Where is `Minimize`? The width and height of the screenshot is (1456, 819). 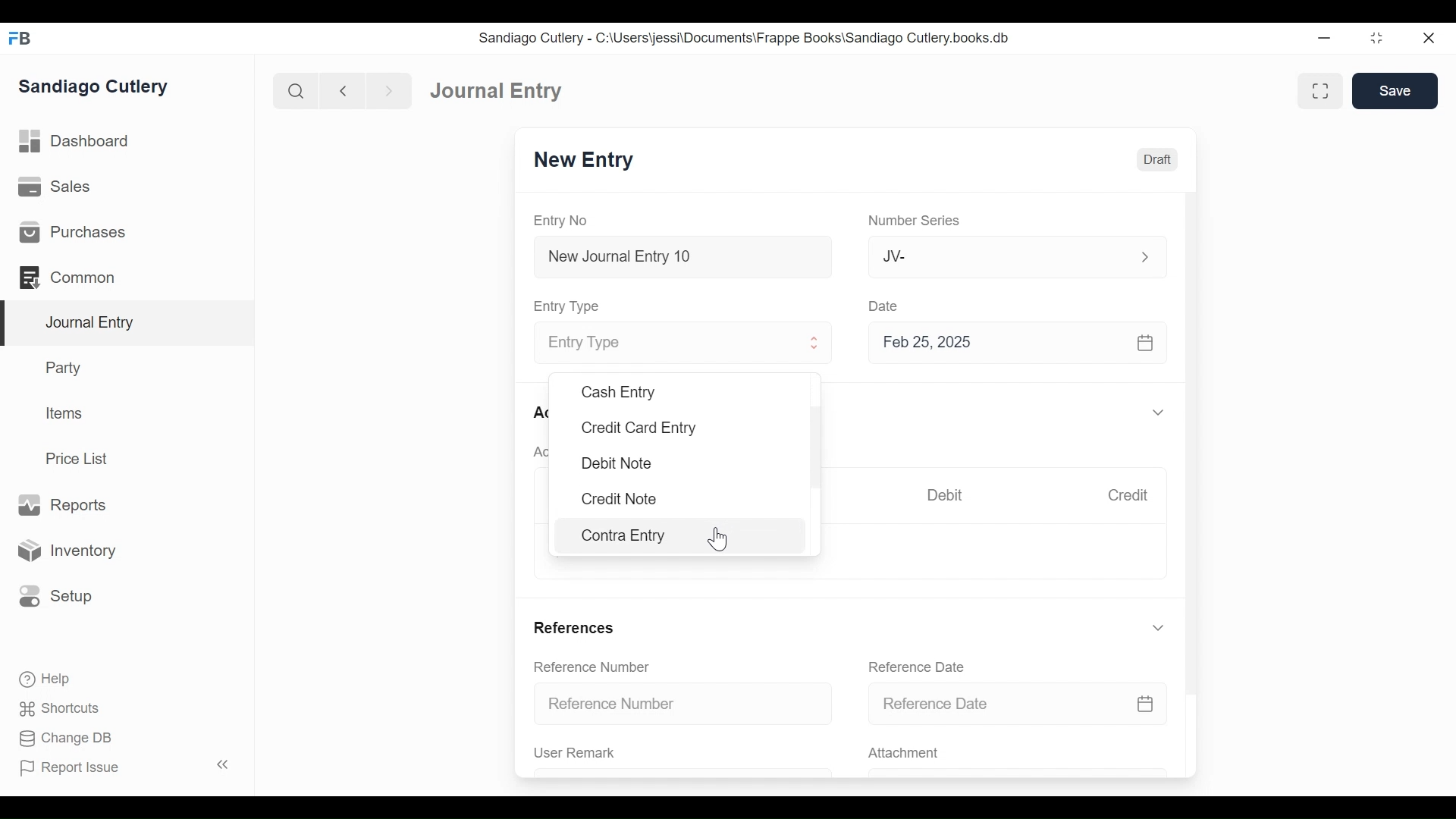
Minimize is located at coordinates (1326, 39).